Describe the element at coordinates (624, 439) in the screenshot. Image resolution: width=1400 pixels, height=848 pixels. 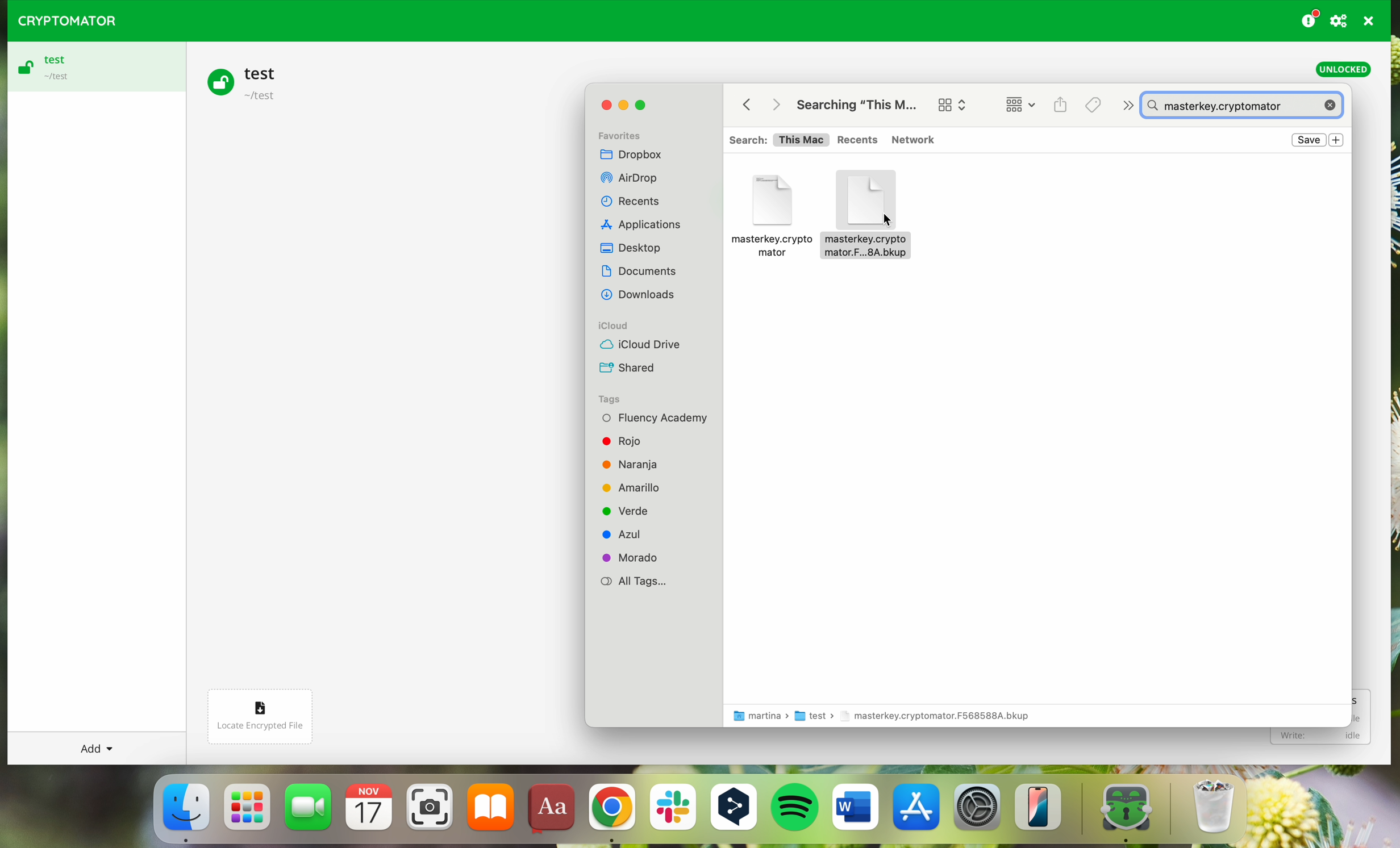
I see `Rojo` at that location.